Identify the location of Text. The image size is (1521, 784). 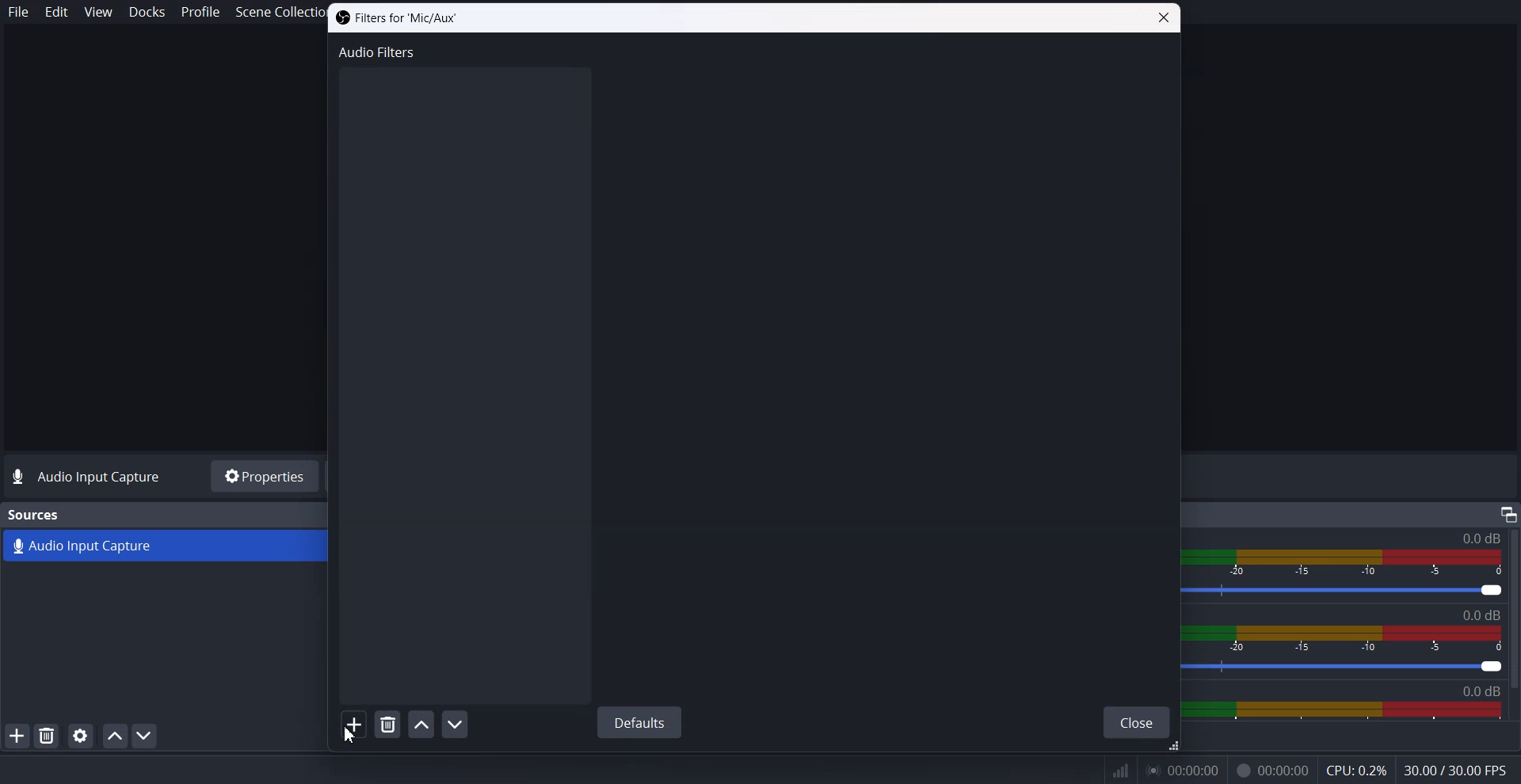
(1486, 615).